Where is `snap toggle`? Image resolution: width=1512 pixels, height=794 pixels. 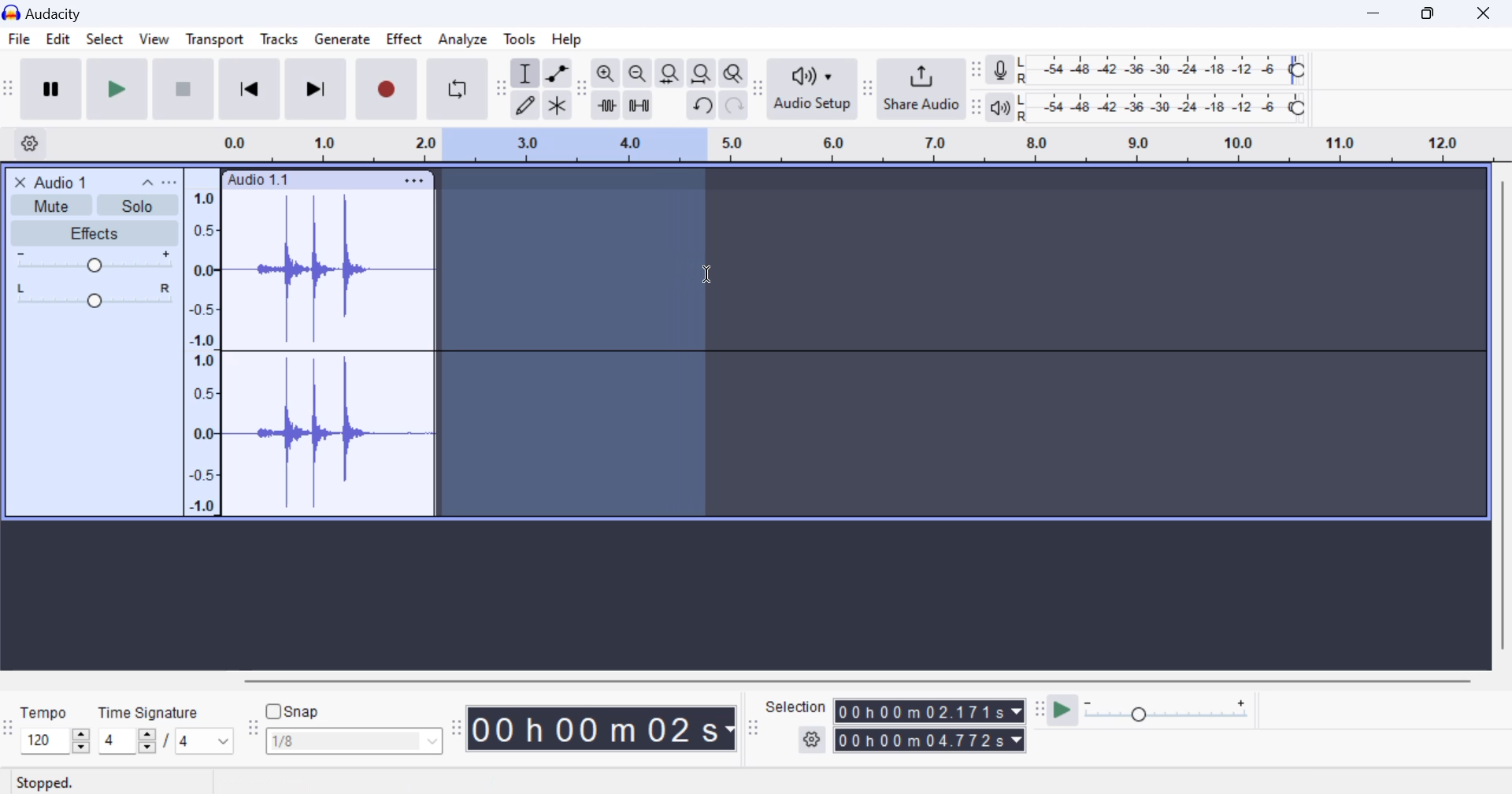 snap toggle is located at coordinates (301, 711).